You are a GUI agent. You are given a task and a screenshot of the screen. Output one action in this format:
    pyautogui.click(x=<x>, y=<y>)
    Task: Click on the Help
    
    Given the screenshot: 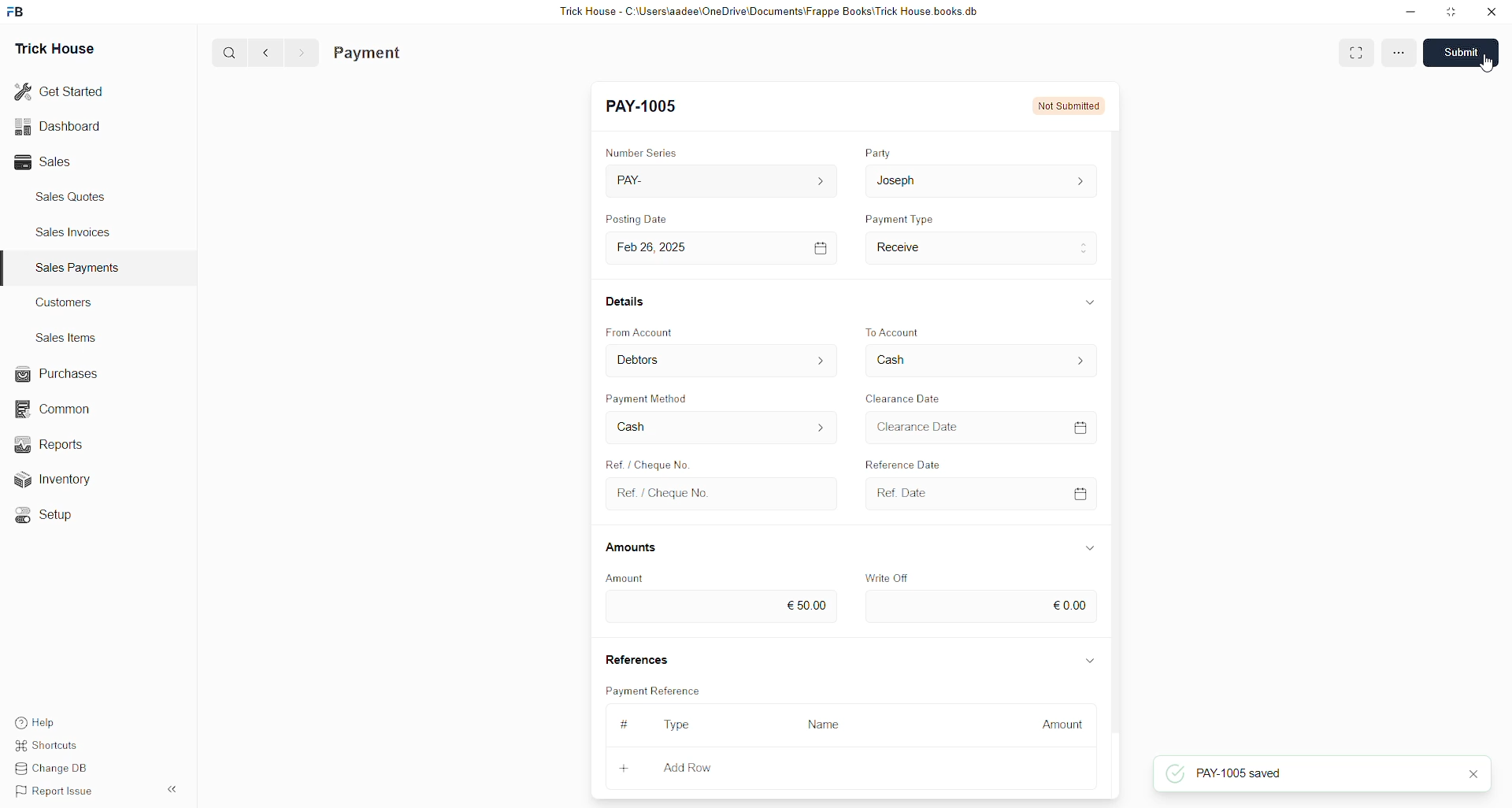 What is the action you would take?
    pyautogui.click(x=38, y=718)
    